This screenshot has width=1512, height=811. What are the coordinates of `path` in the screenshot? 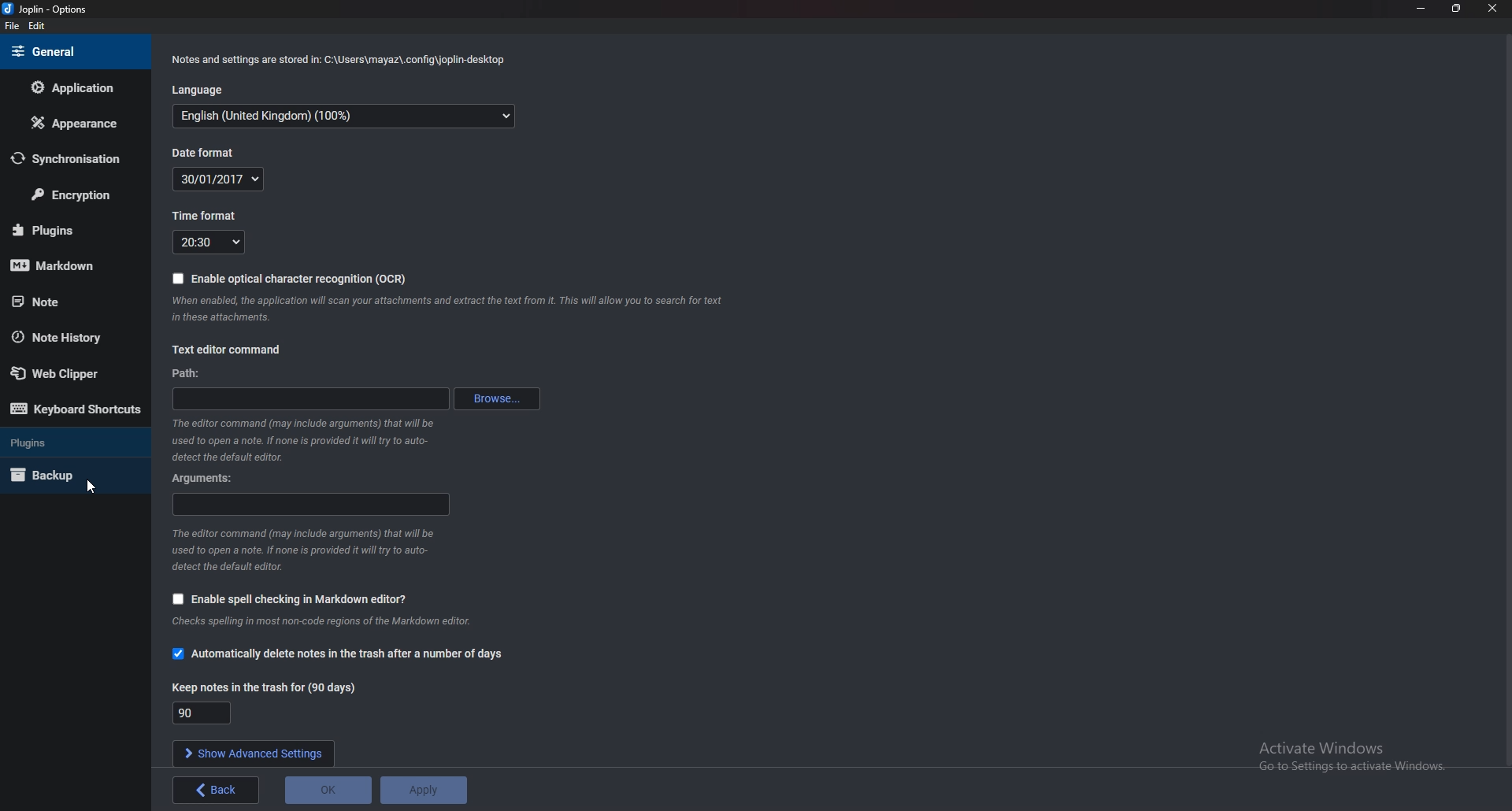 It's located at (191, 374).